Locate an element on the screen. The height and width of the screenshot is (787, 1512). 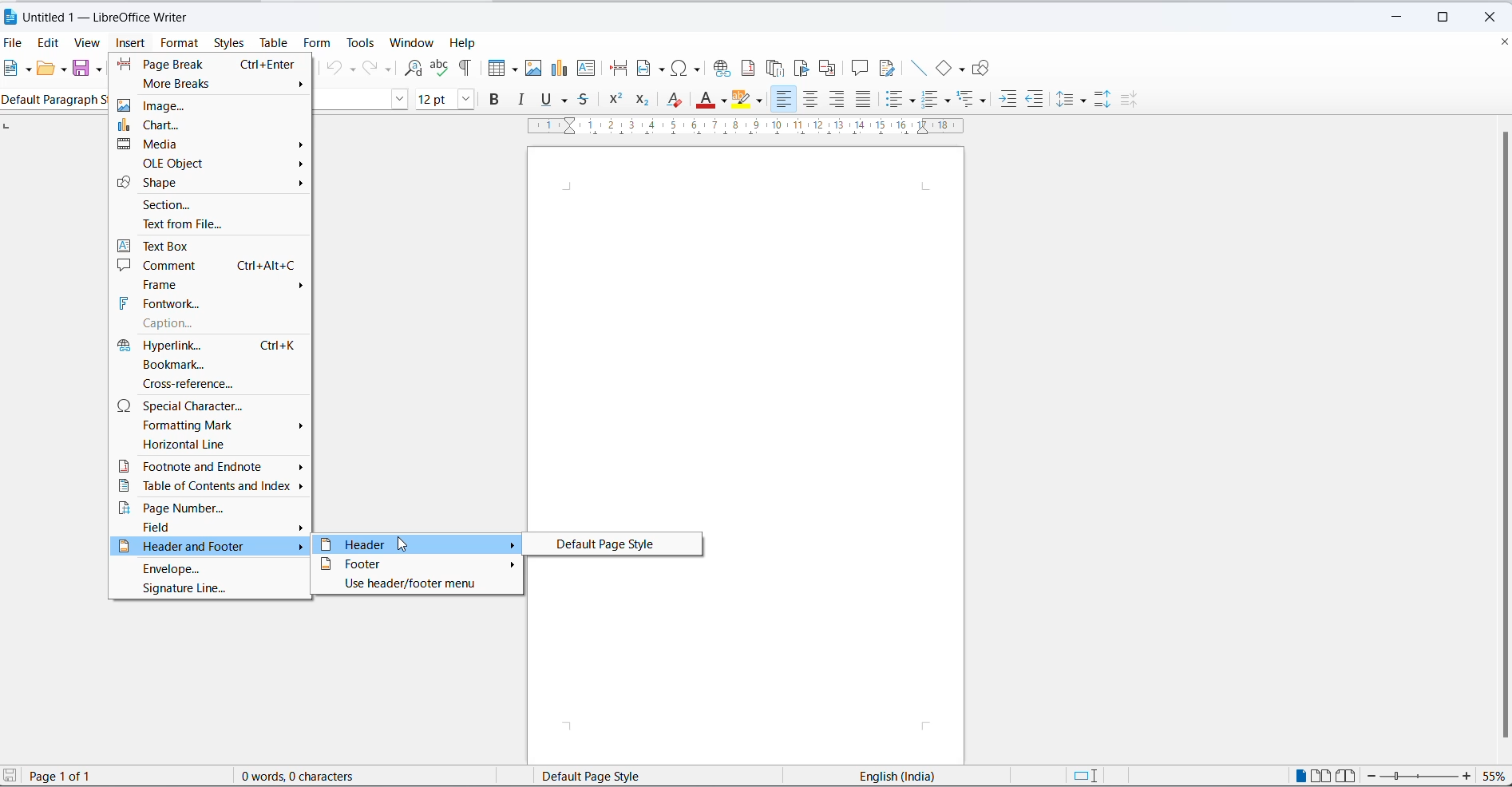
spelling is located at coordinates (441, 68).